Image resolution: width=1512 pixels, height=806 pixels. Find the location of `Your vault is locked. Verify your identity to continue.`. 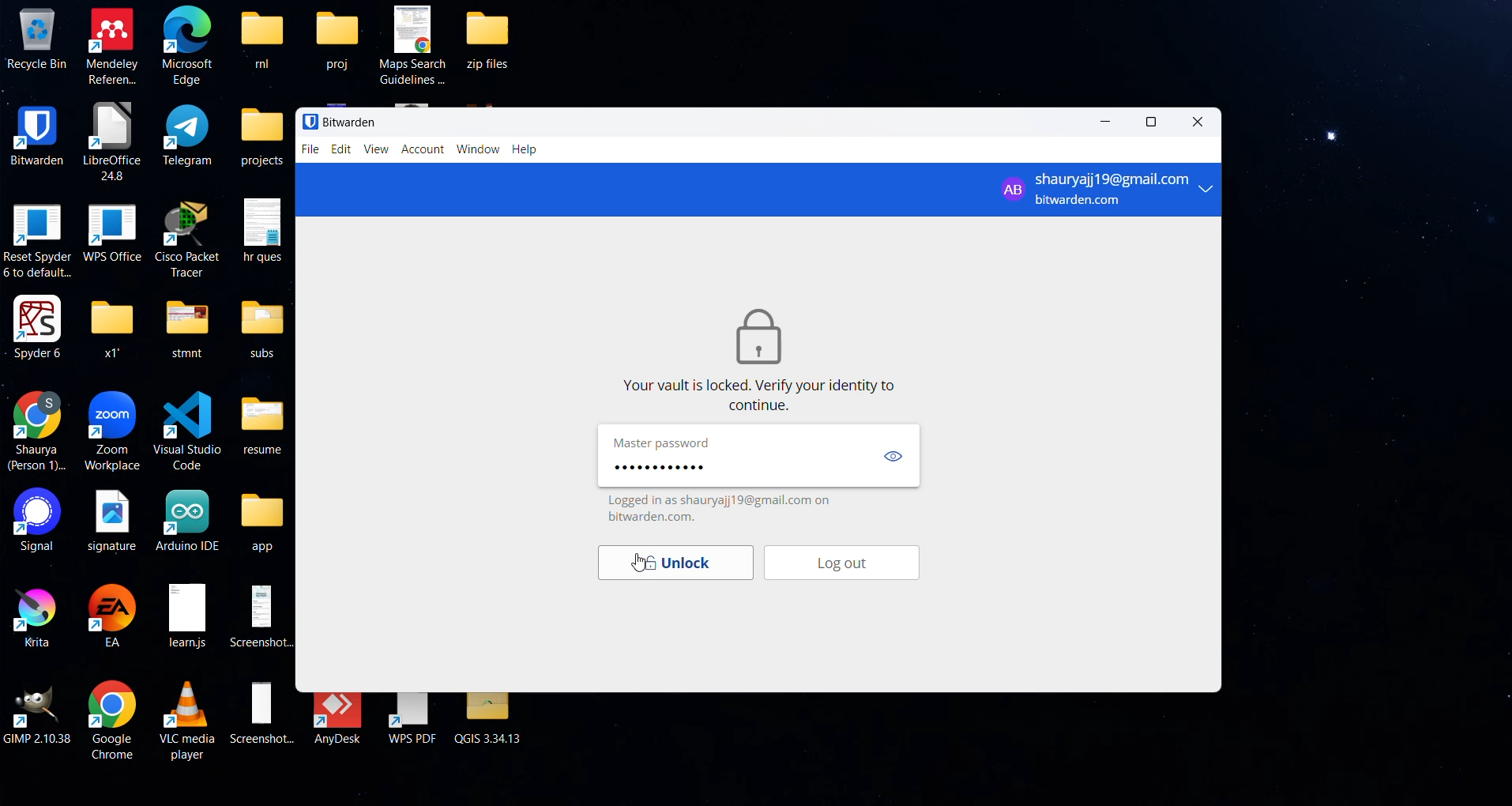

Your vault is locked. Verify your identity to continue. is located at coordinates (763, 396).